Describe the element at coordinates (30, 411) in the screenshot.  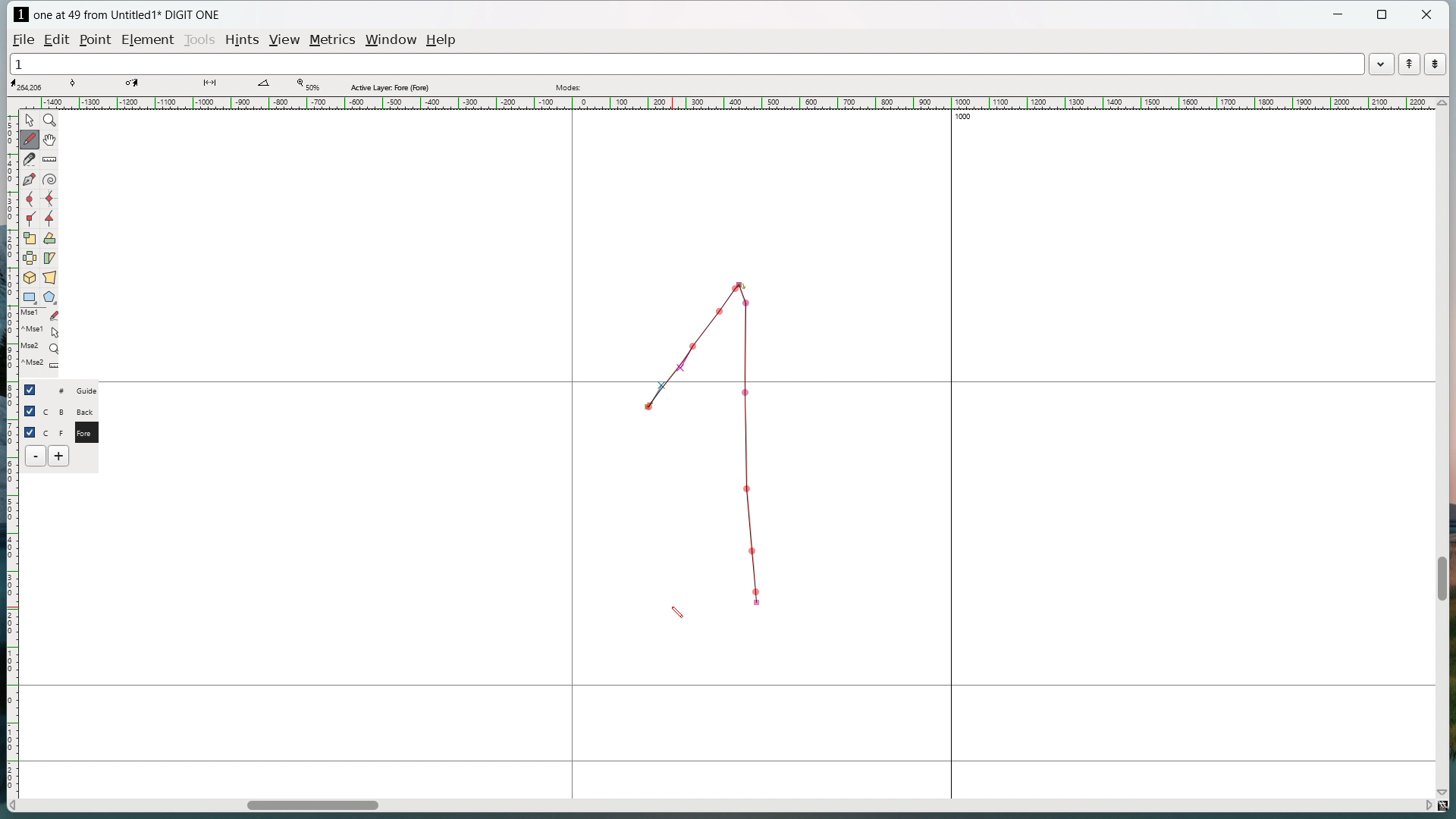
I see `checkbox` at that location.